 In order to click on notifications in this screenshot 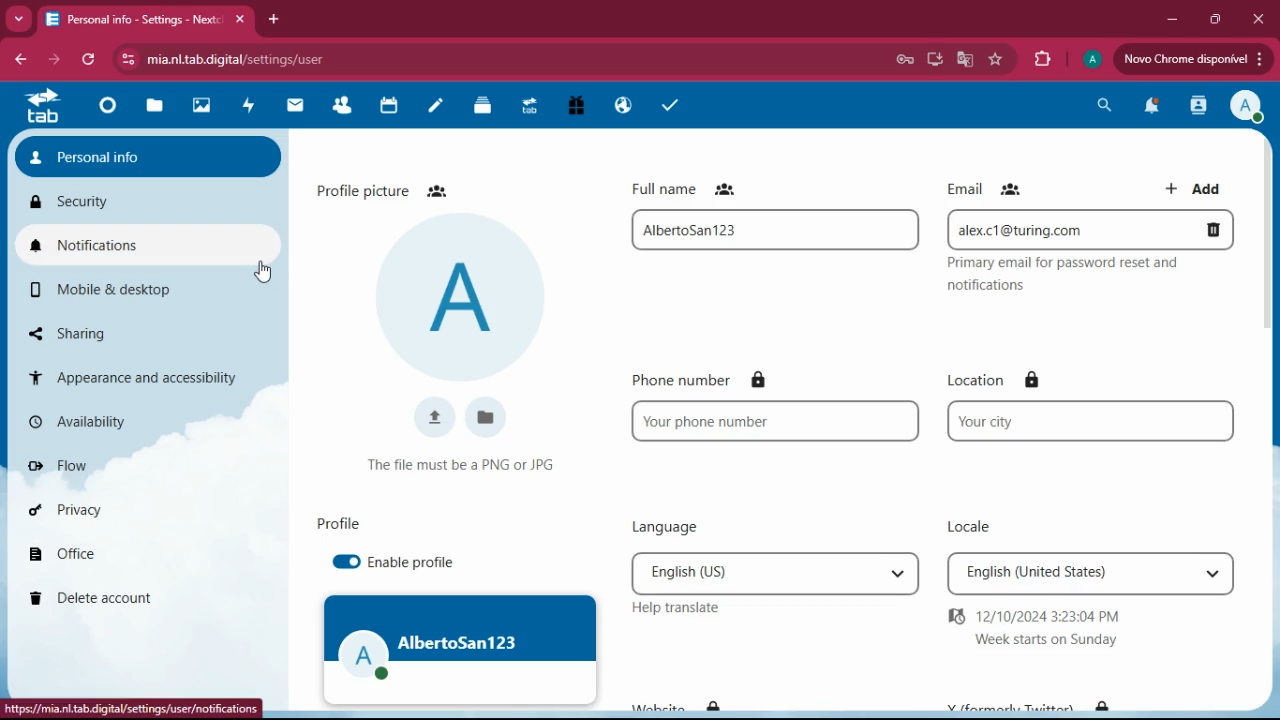, I will do `click(146, 247)`.